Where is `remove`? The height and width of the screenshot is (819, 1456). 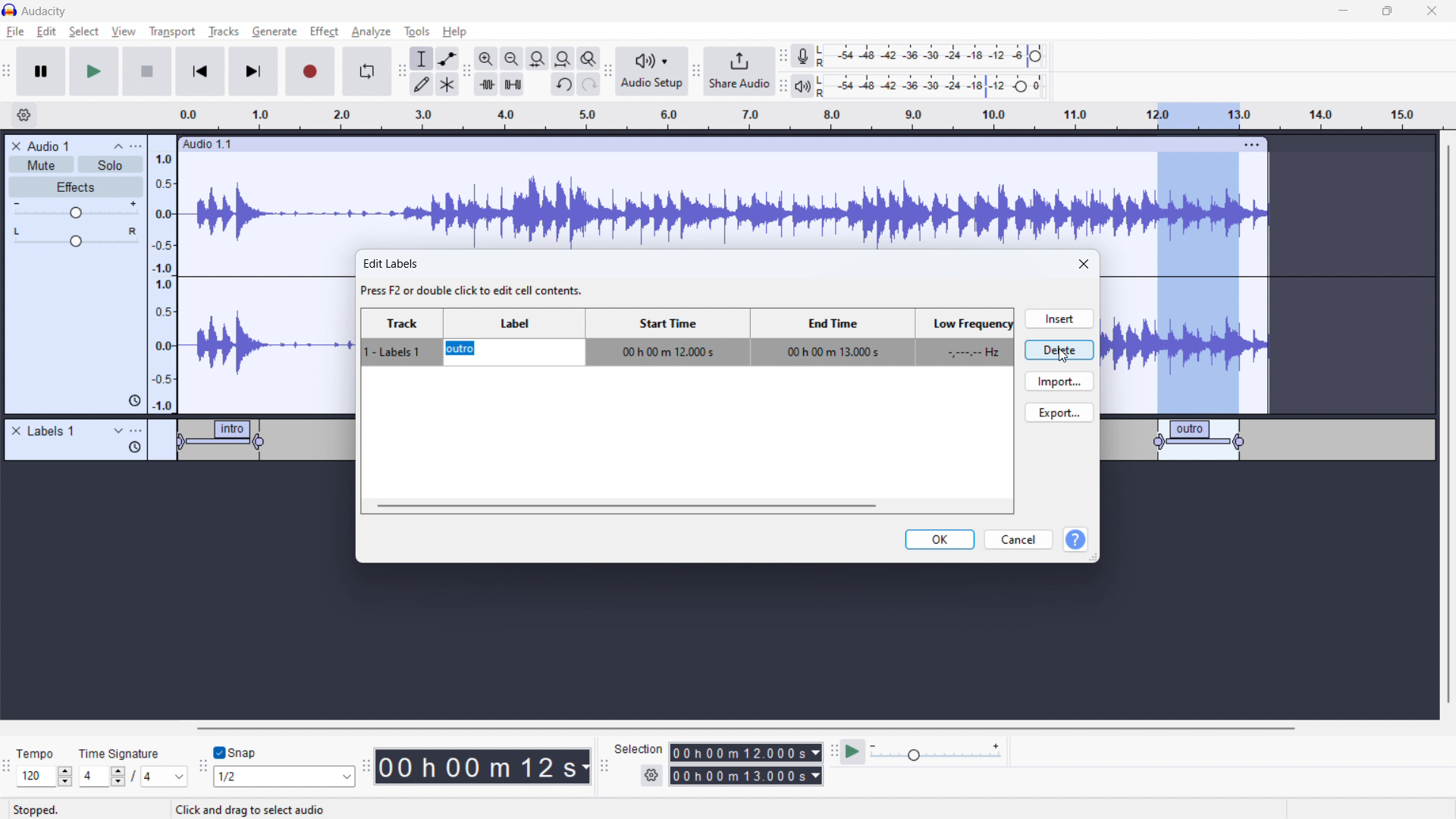
remove is located at coordinates (16, 431).